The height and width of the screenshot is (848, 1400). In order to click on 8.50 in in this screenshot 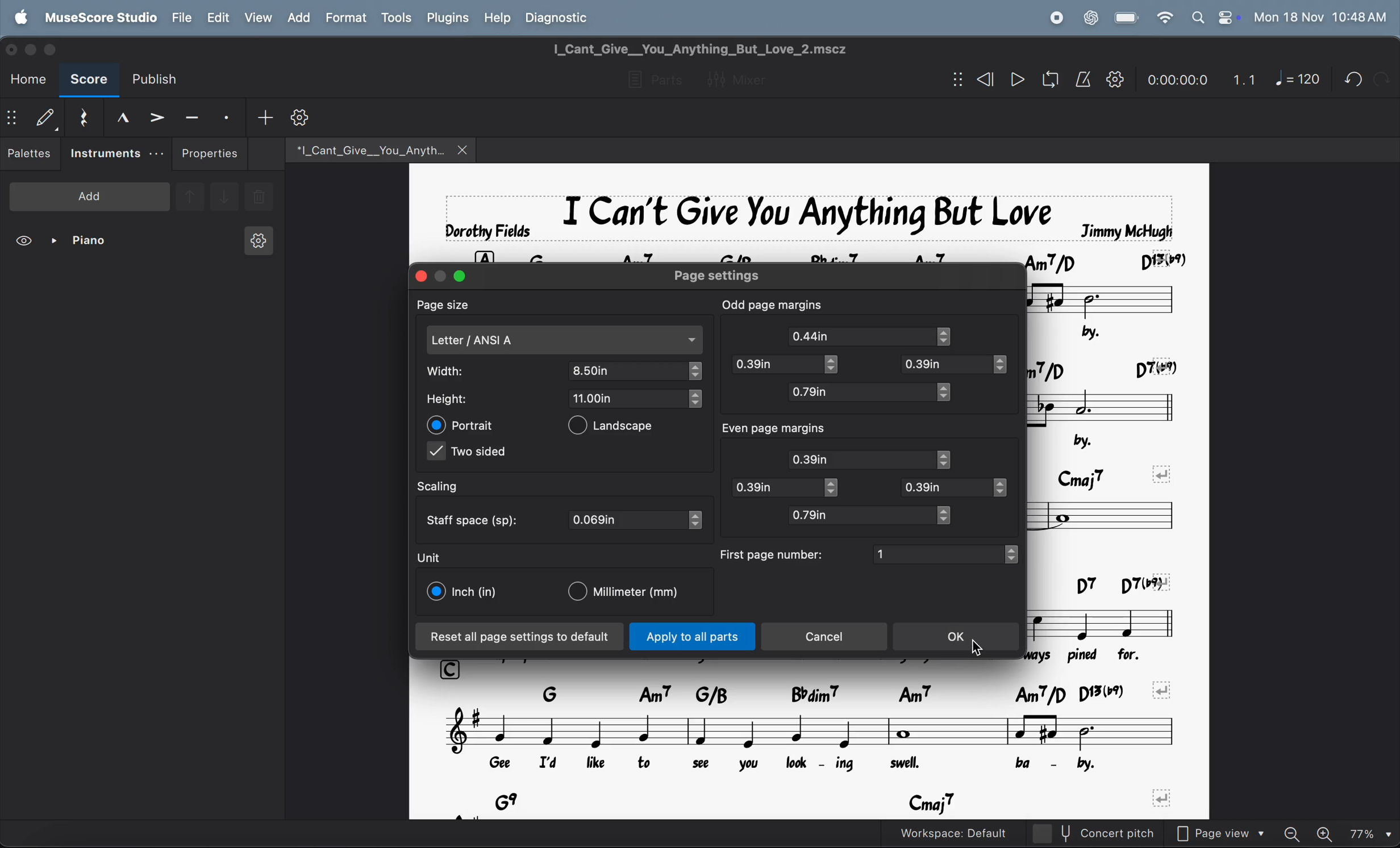, I will do `click(628, 370)`.